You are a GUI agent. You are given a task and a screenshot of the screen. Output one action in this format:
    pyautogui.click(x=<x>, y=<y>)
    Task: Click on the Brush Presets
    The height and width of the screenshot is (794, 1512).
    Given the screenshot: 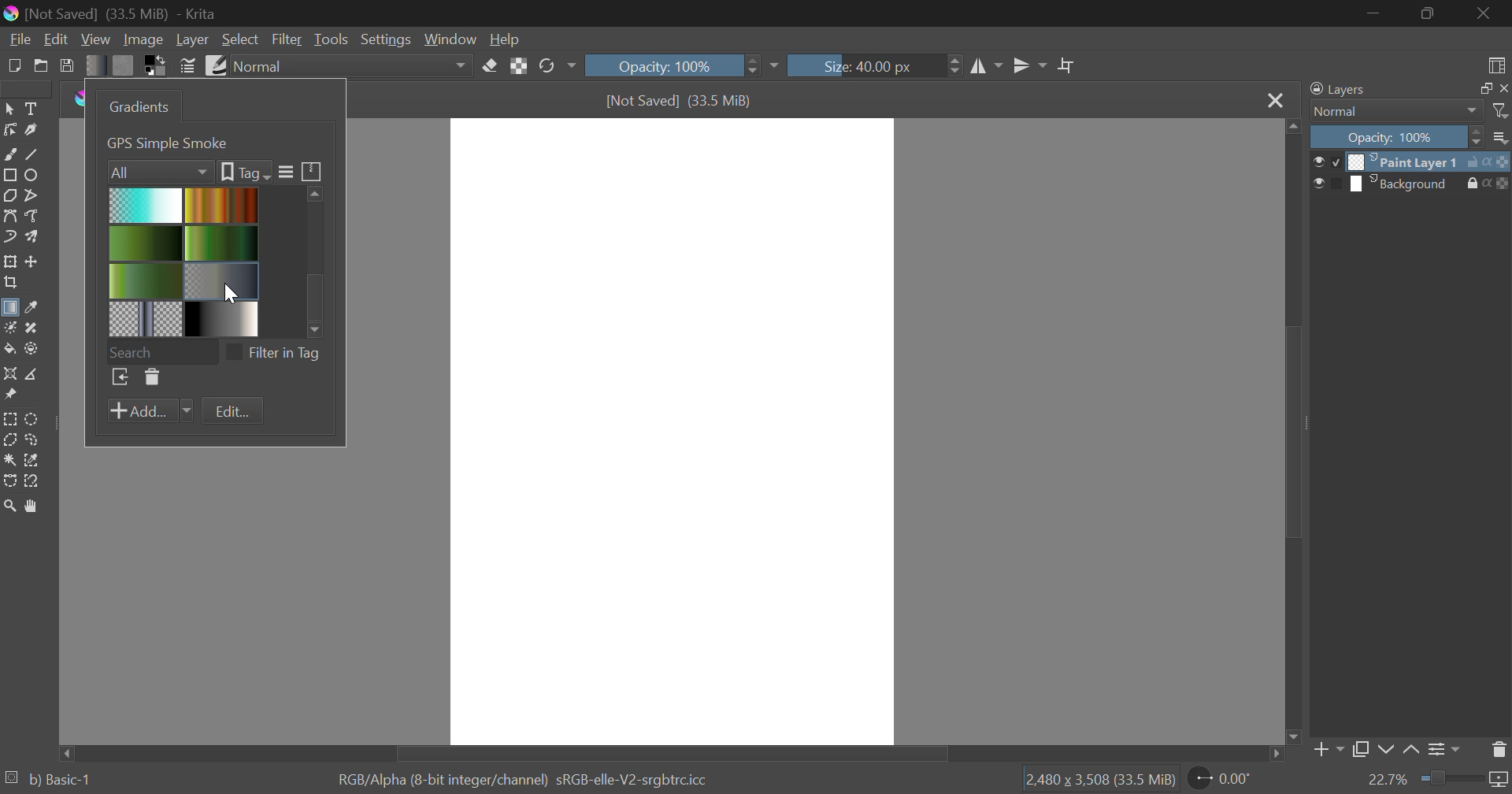 What is the action you would take?
    pyautogui.click(x=214, y=64)
    